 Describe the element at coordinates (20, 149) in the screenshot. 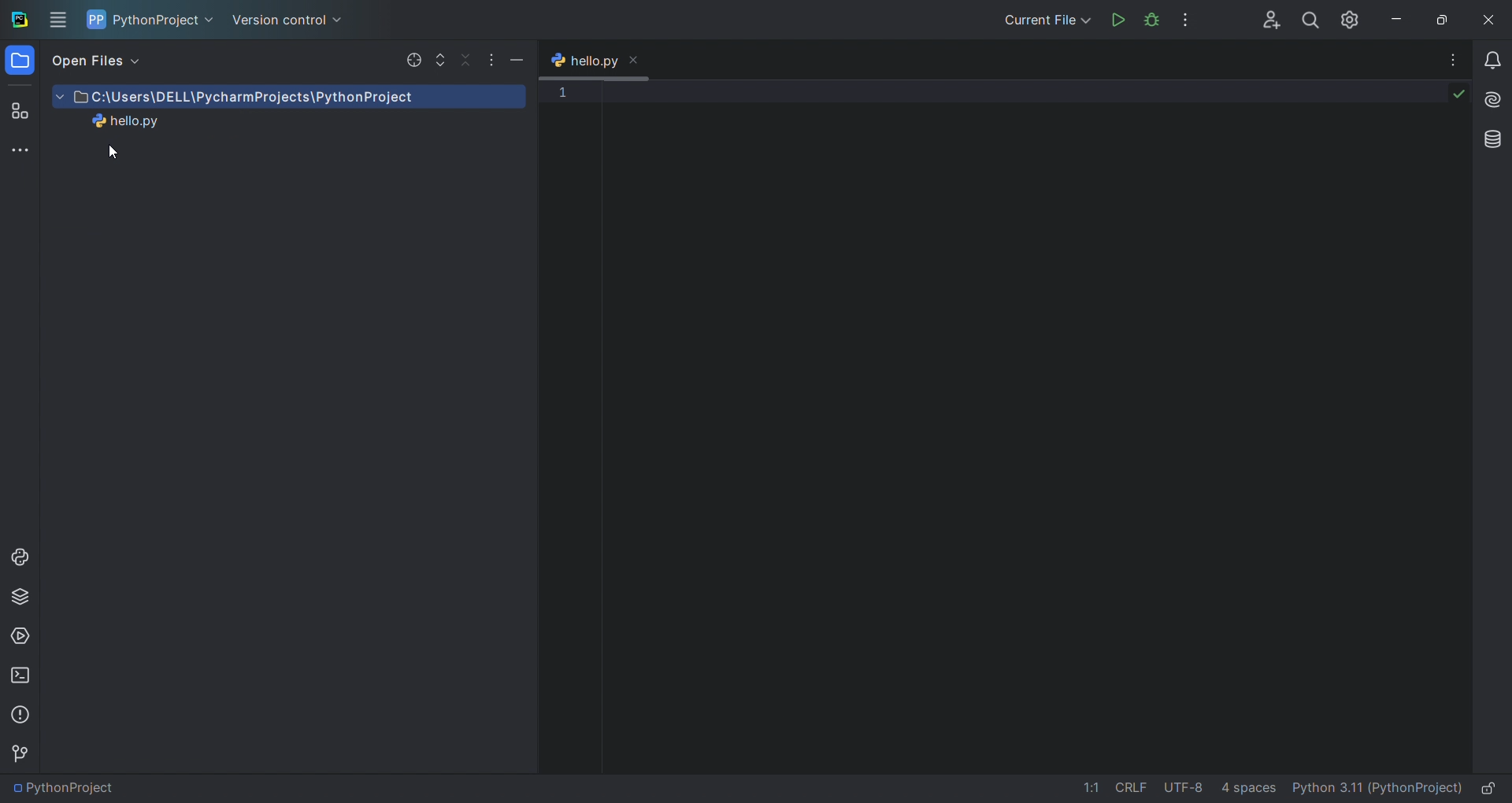

I see `more tool window` at that location.